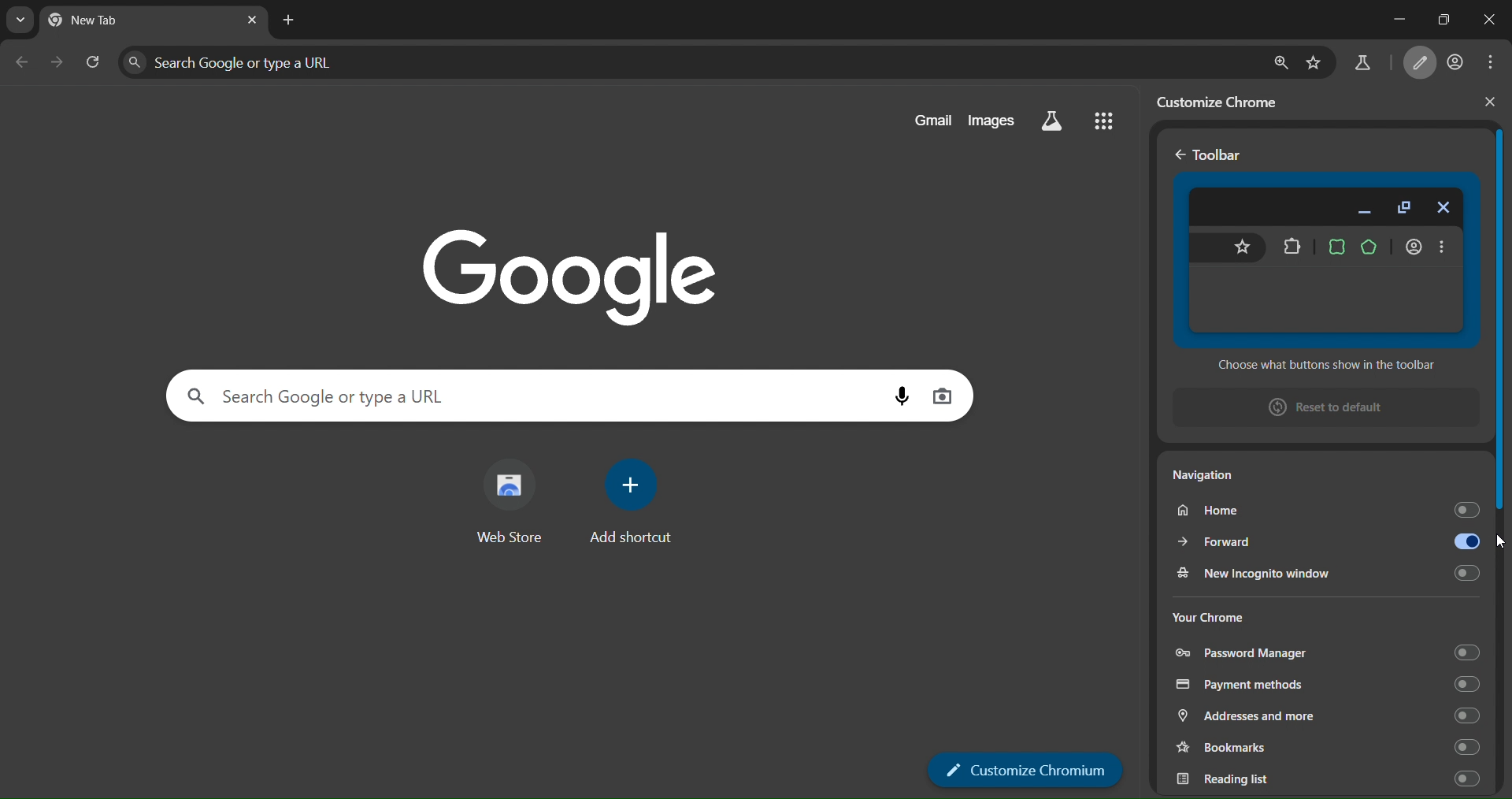  Describe the element at coordinates (995, 120) in the screenshot. I see `images` at that location.